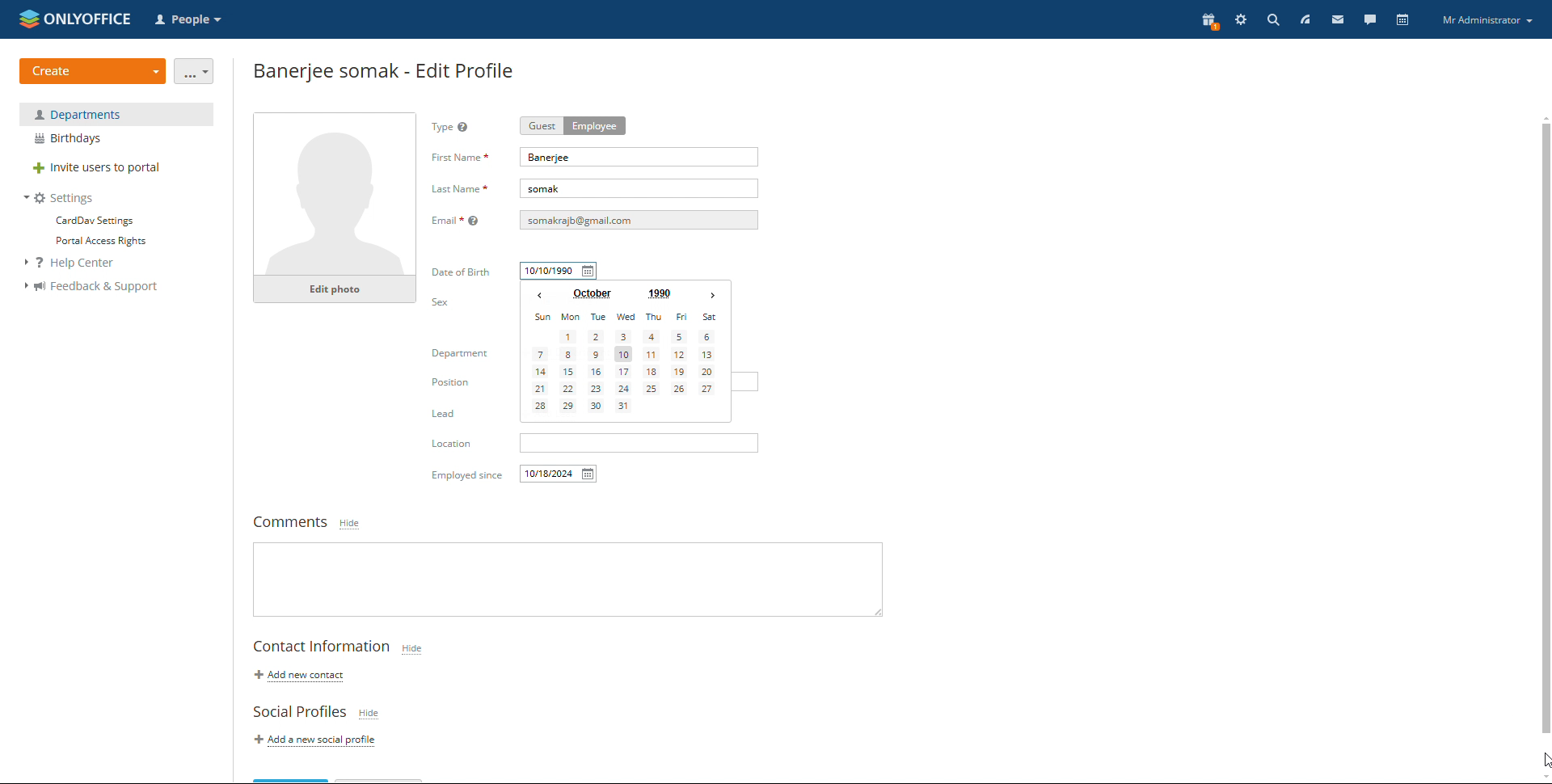 The width and height of the screenshot is (1552, 784). What do you see at coordinates (195, 71) in the screenshot?
I see `more actions` at bounding box center [195, 71].